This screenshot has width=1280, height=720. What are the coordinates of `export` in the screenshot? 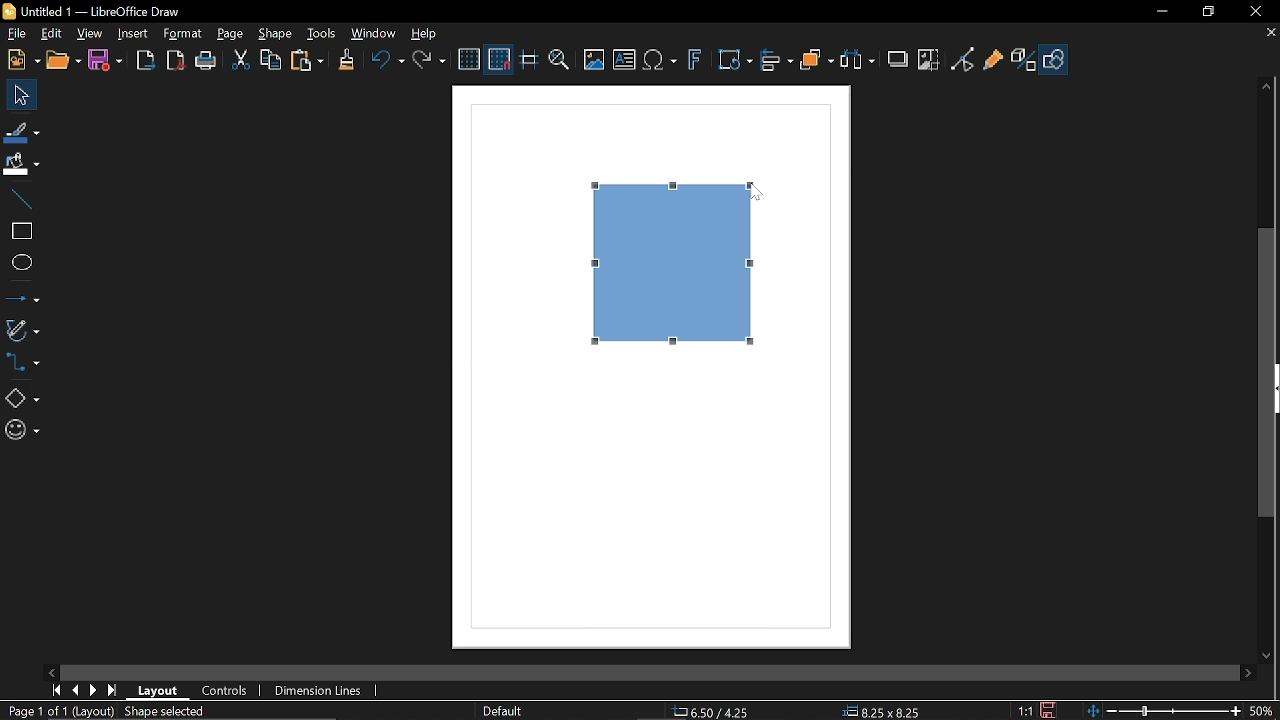 It's located at (147, 60).